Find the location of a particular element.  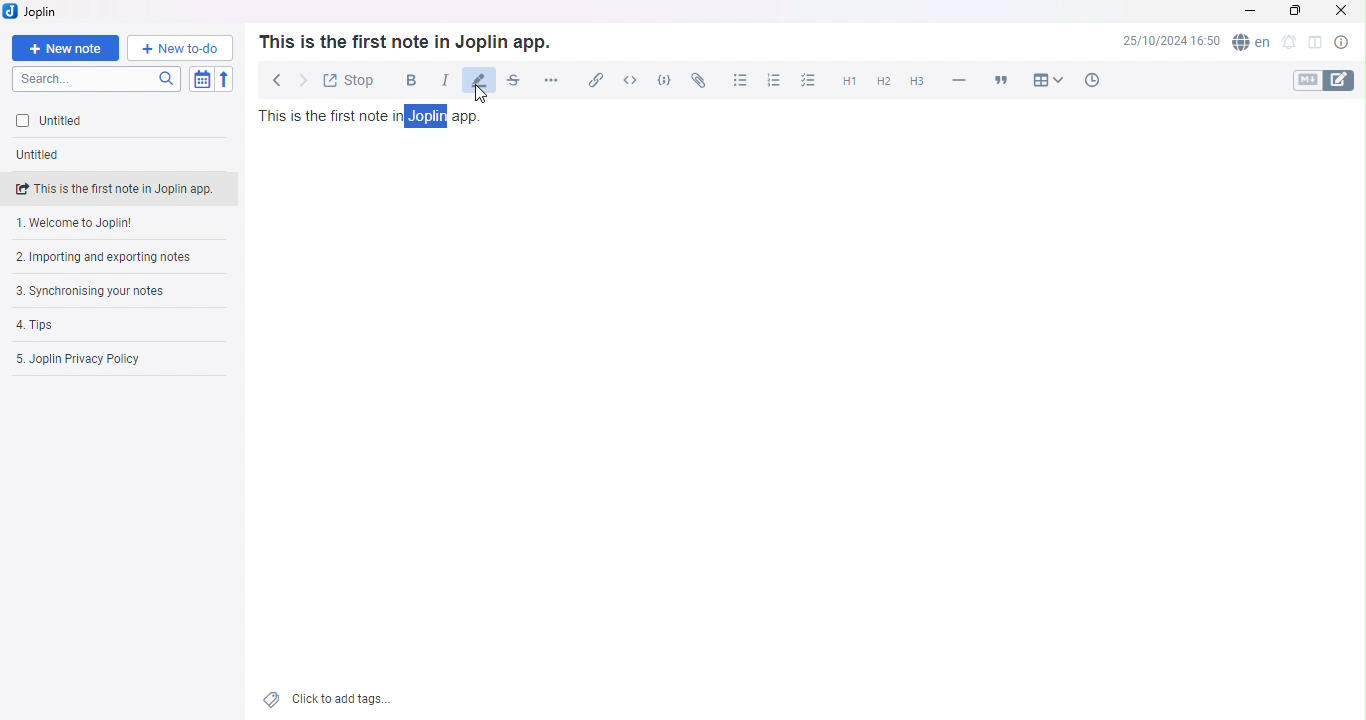

Reverse Sort order is located at coordinates (225, 80).